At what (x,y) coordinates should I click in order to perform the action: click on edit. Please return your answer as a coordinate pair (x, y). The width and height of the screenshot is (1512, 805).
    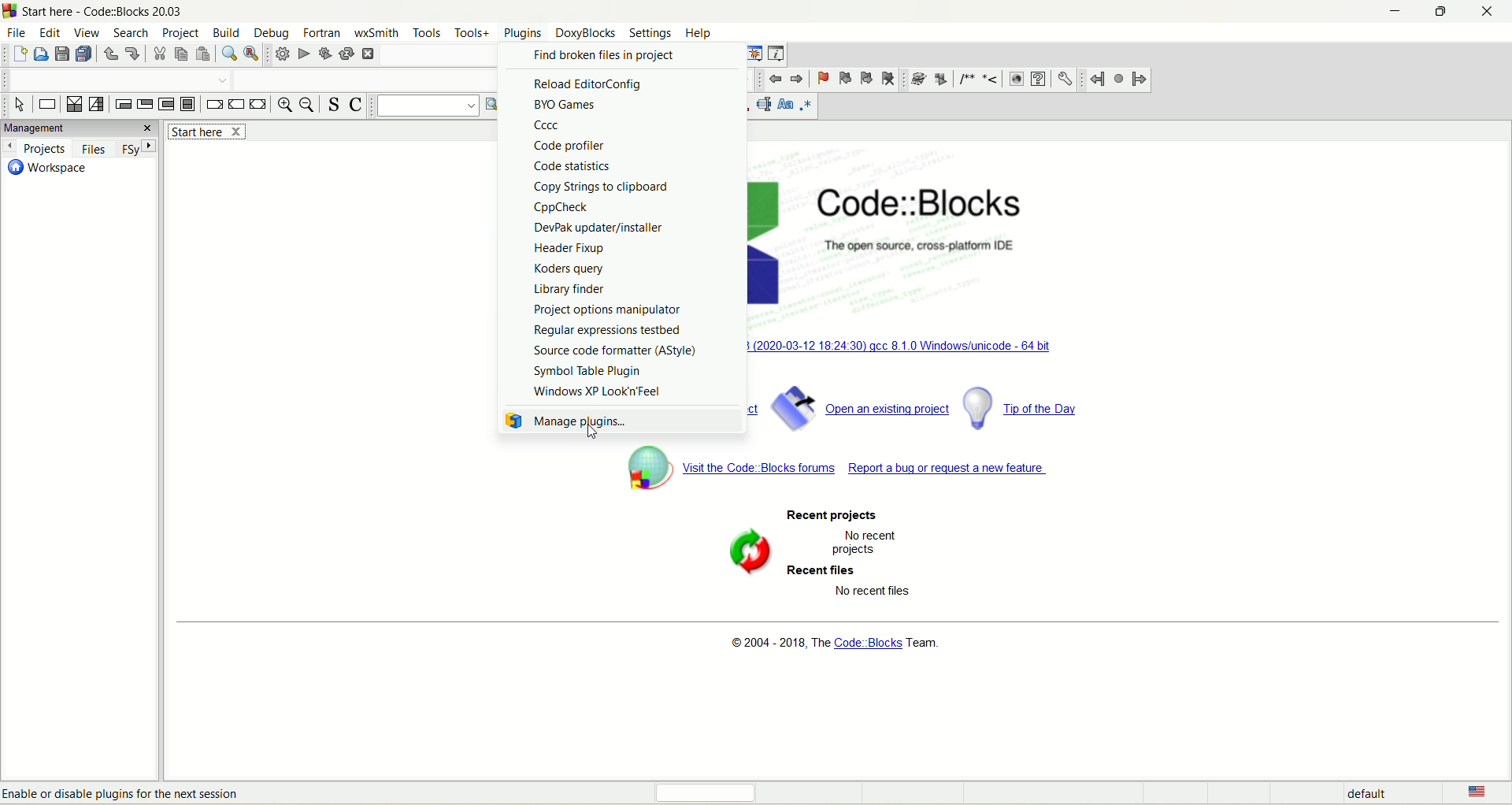
    Looking at the image, I should click on (48, 32).